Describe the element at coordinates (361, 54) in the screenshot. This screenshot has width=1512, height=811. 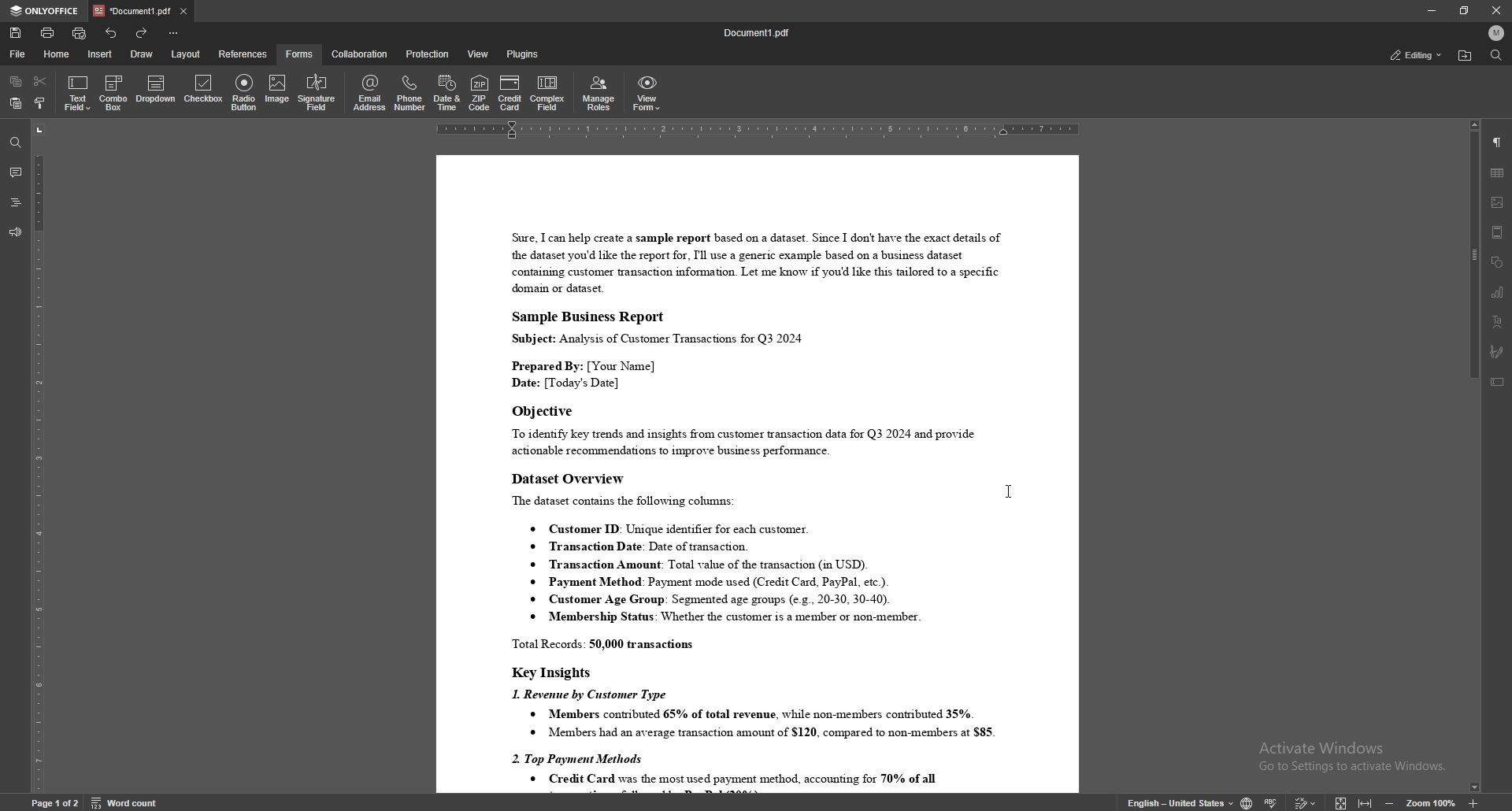
I see `collaboration` at that location.